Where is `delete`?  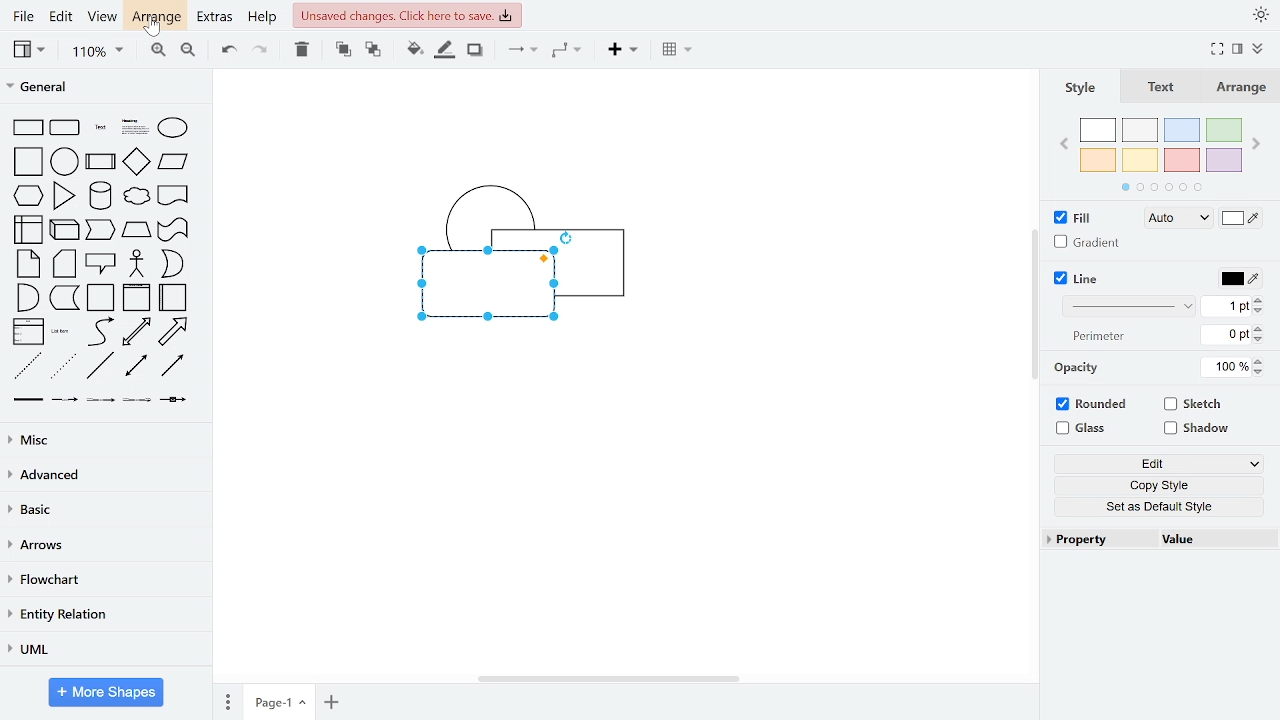
delete is located at coordinates (302, 53).